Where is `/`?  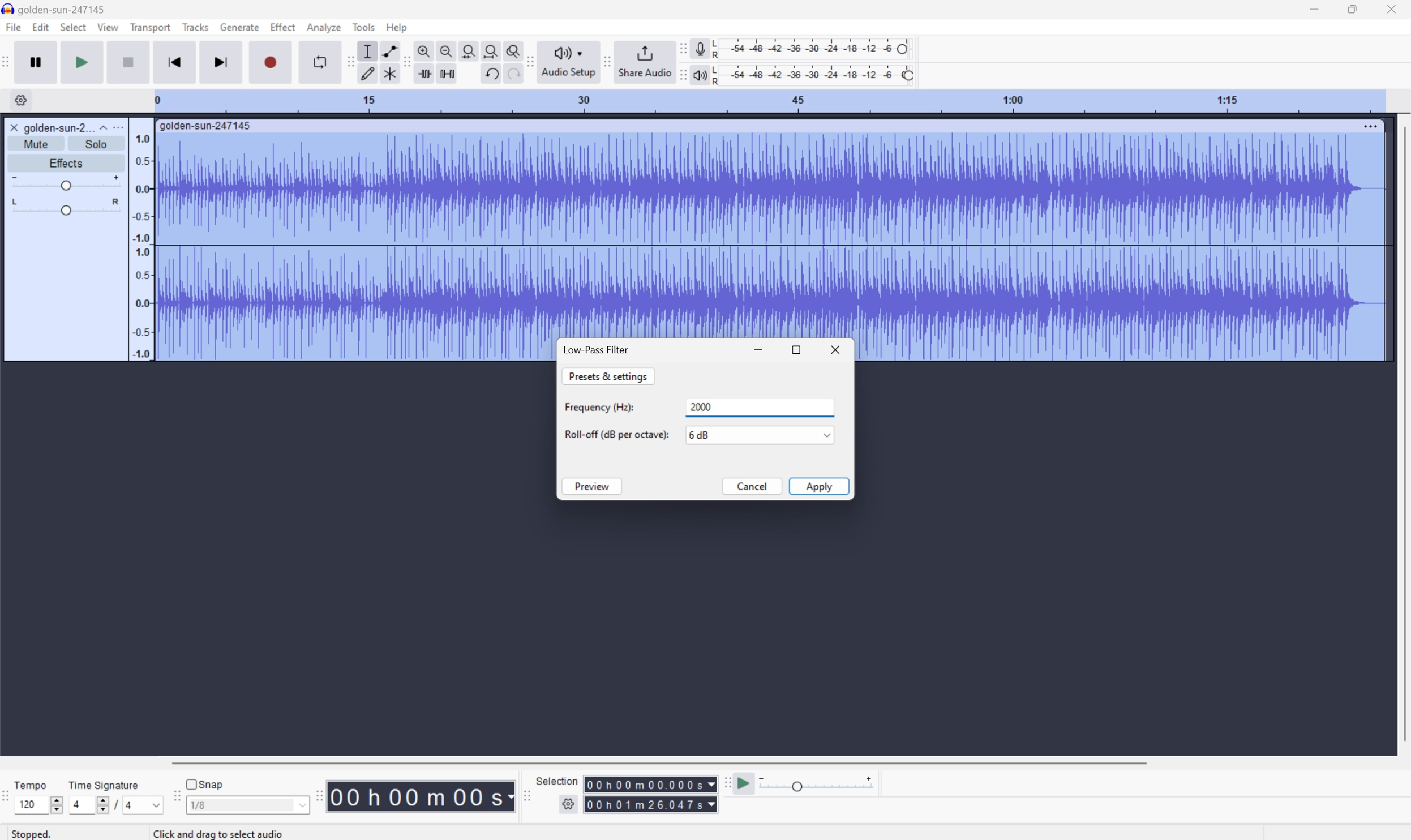
/ is located at coordinates (115, 804).